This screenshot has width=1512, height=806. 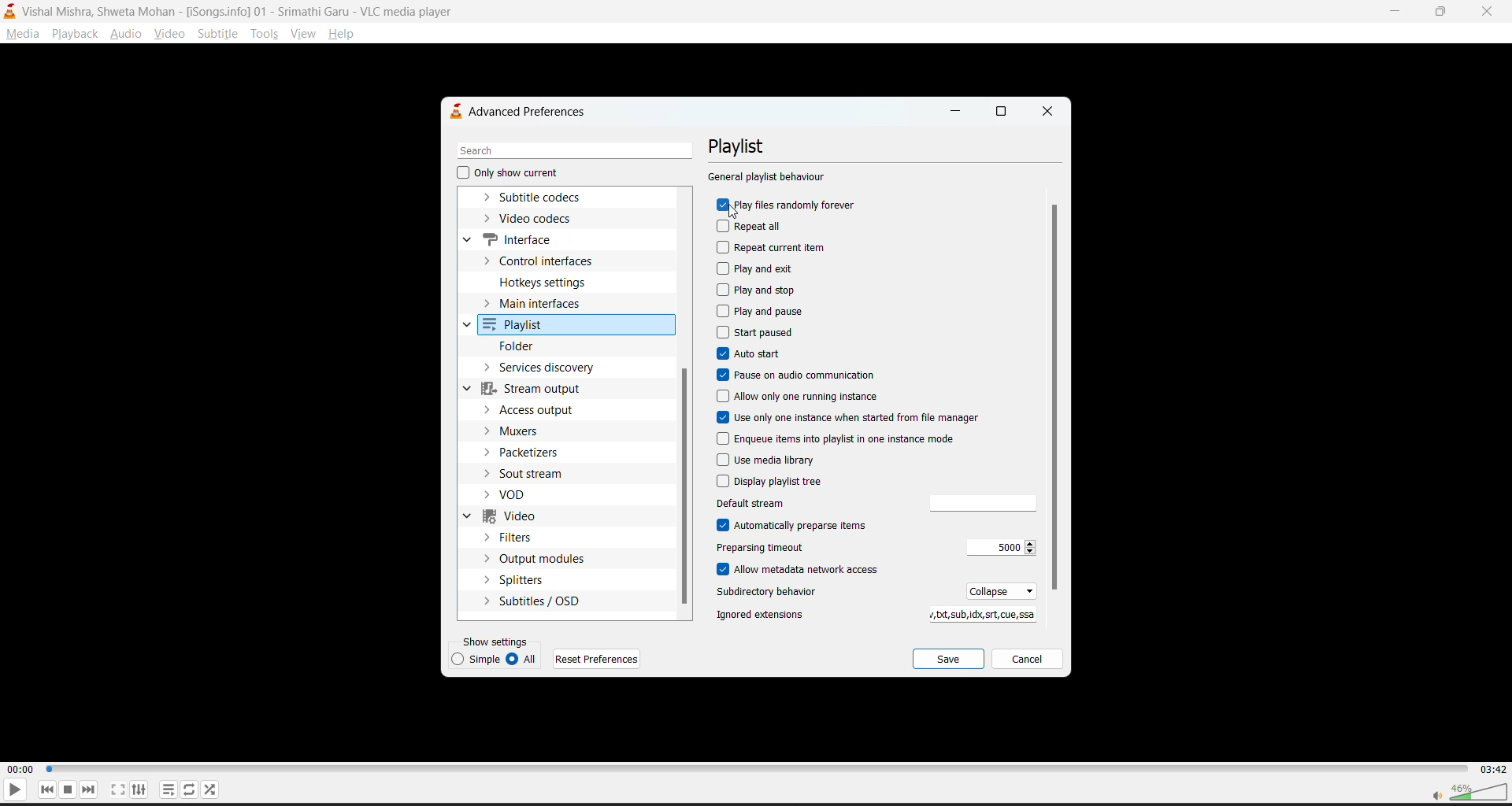 I want to click on simple, so click(x=472, y=660).